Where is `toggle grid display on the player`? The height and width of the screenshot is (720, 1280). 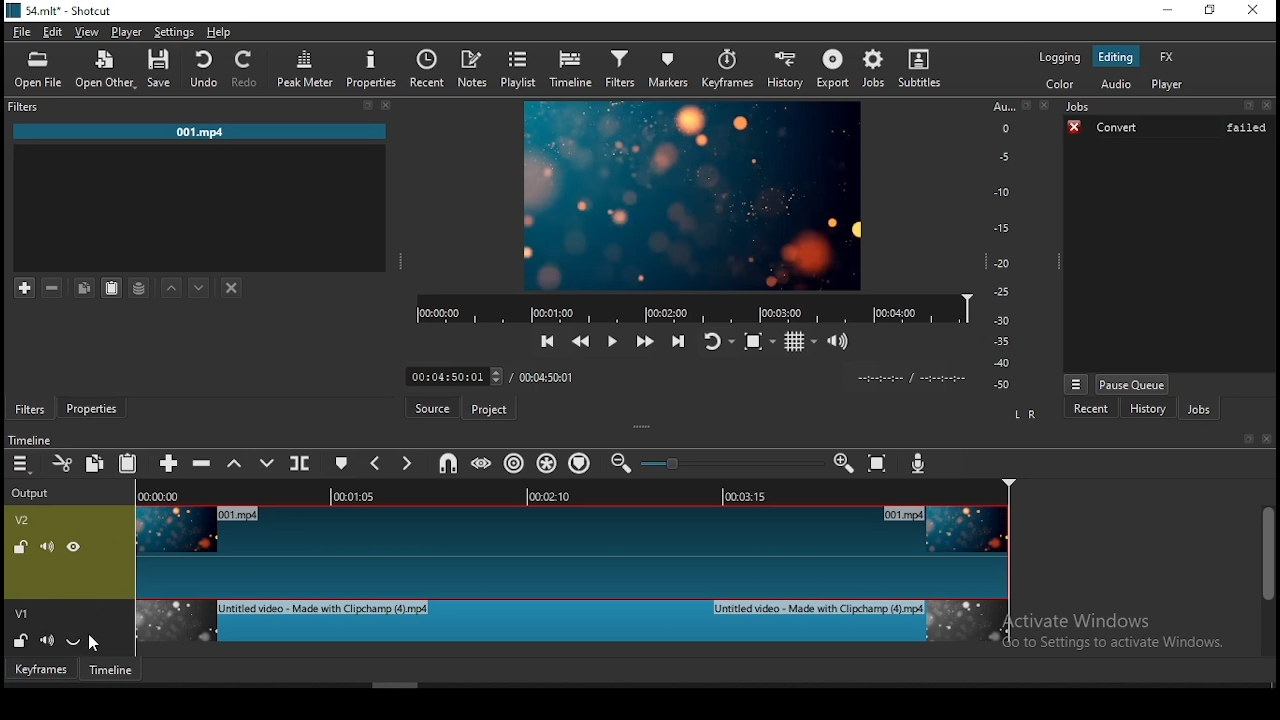 toggle grid display on the player is located at coordinates (799, 342).